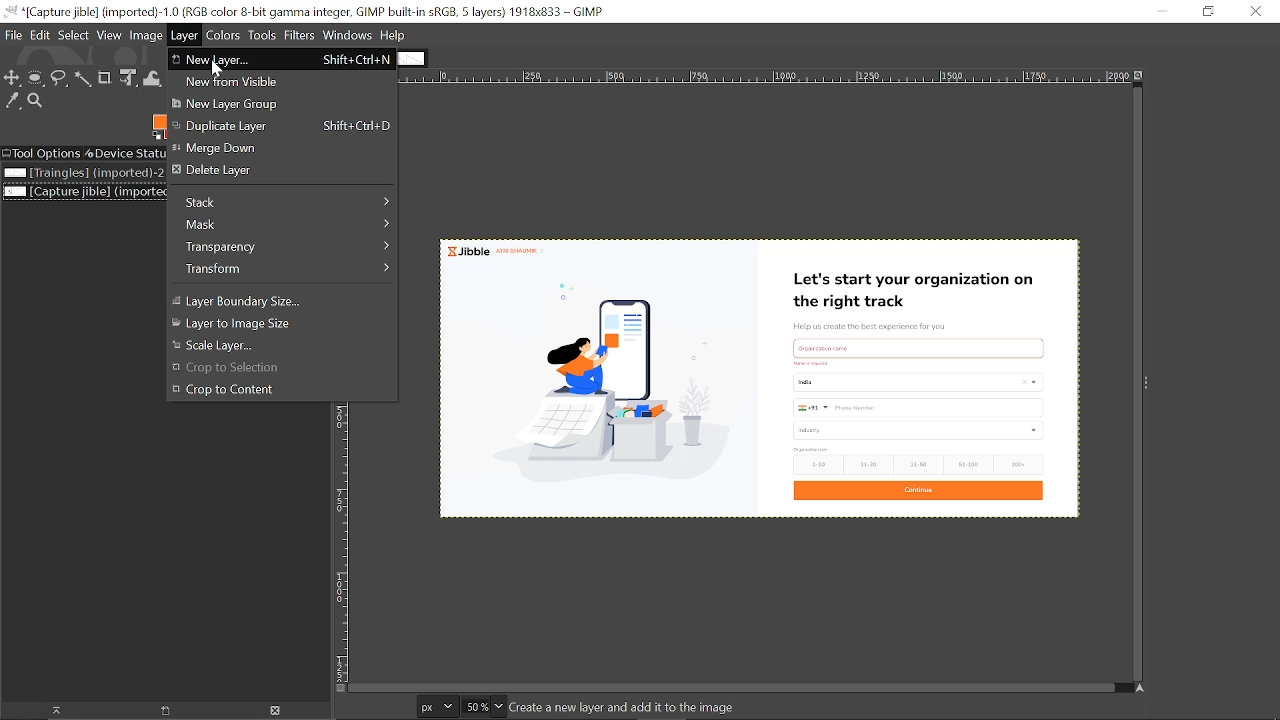 This screenshot has height=720, width=1280. What do you see at coordinates (158, 710) in the screenshot?
I see `Open new display for the image` at bounding box center [158, 710].